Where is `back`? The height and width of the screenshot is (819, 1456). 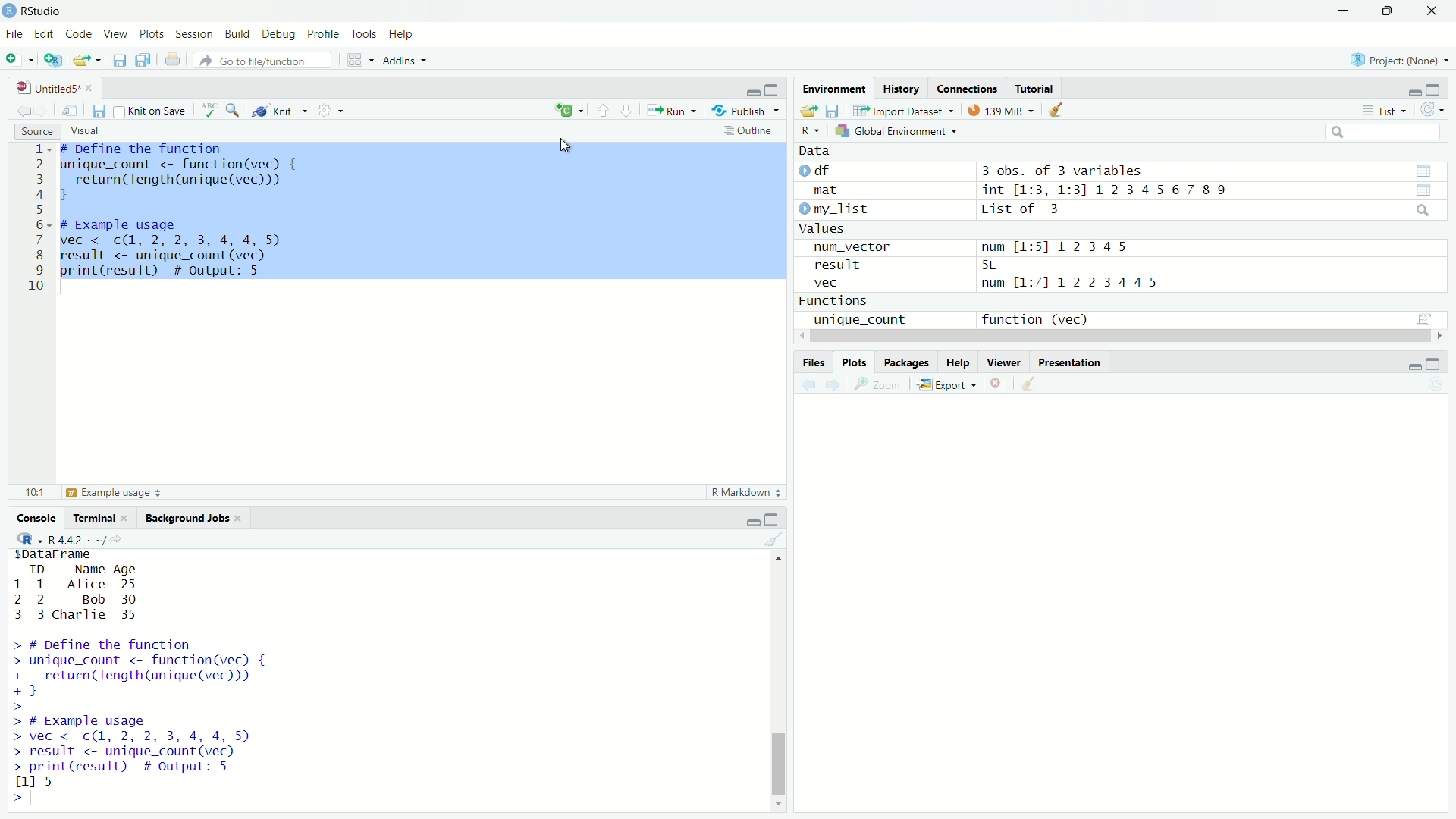
back is located at coordinates (26, 110).